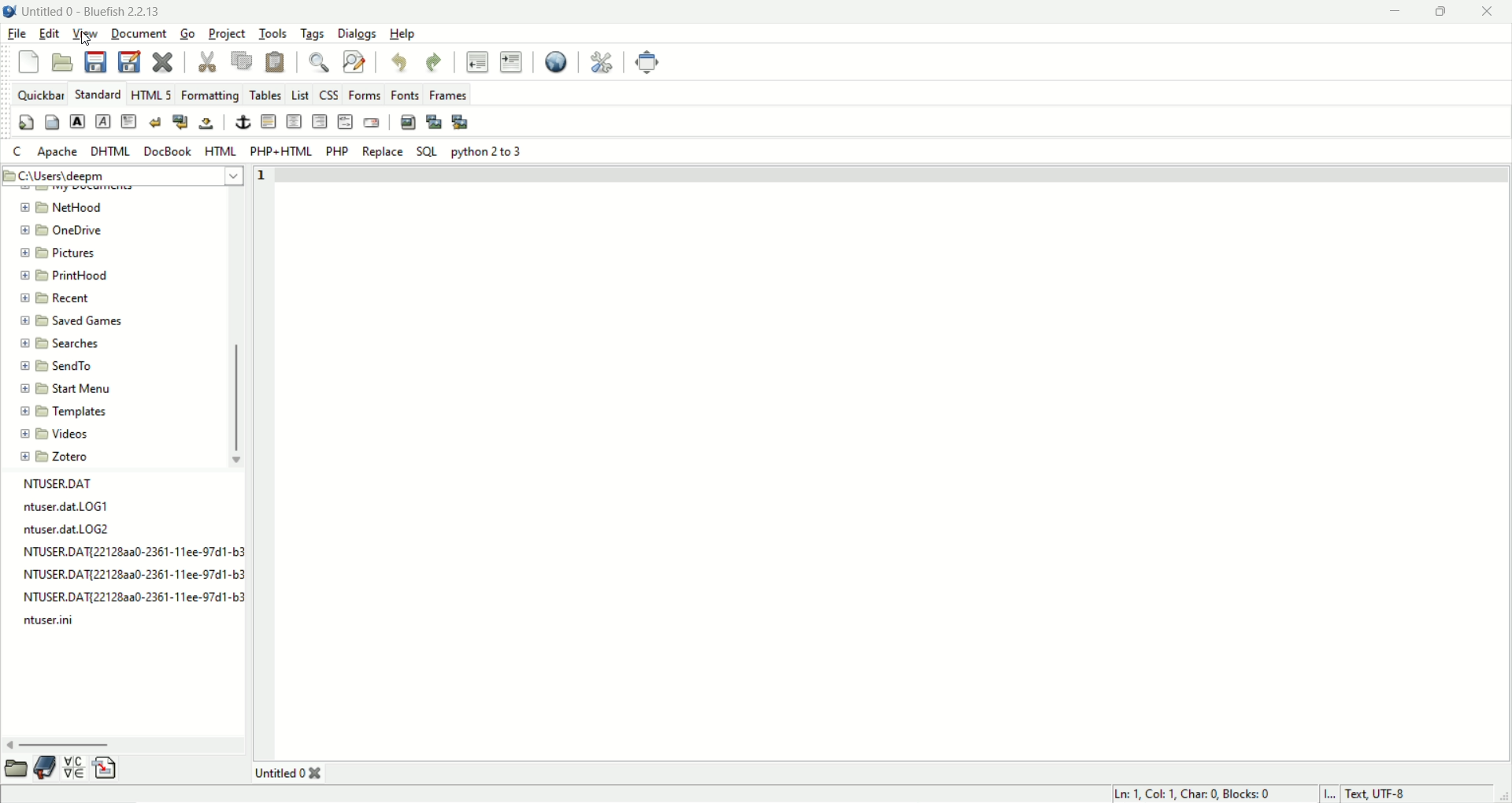 This screenshot has width=1512, height=803. Describe the element at coordinates (66, 410) in the screenshot. I see `templates` at that location.